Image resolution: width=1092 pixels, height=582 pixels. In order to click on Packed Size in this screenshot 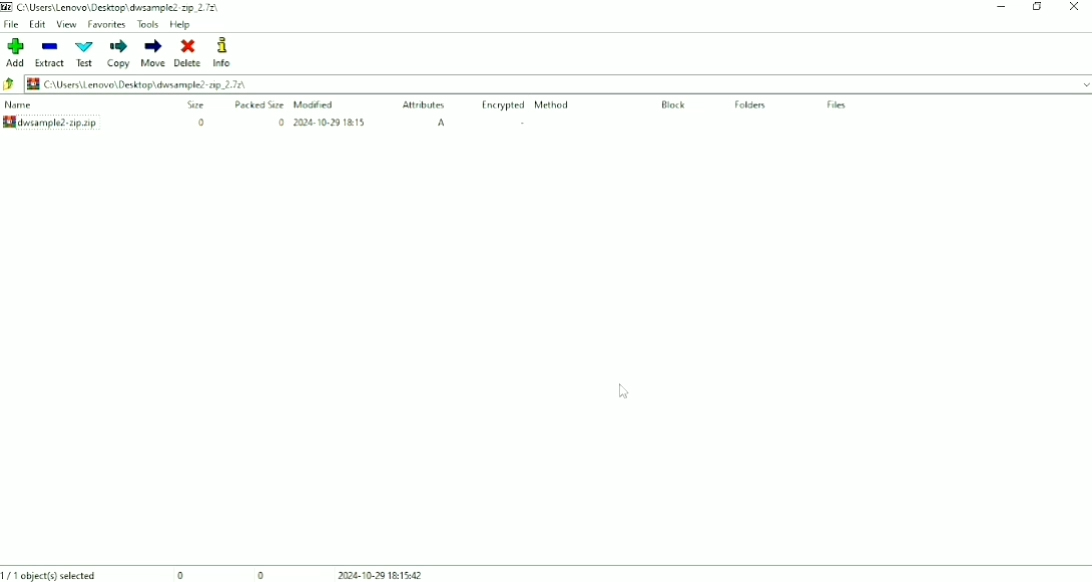, I will do `click(260, 104)`.